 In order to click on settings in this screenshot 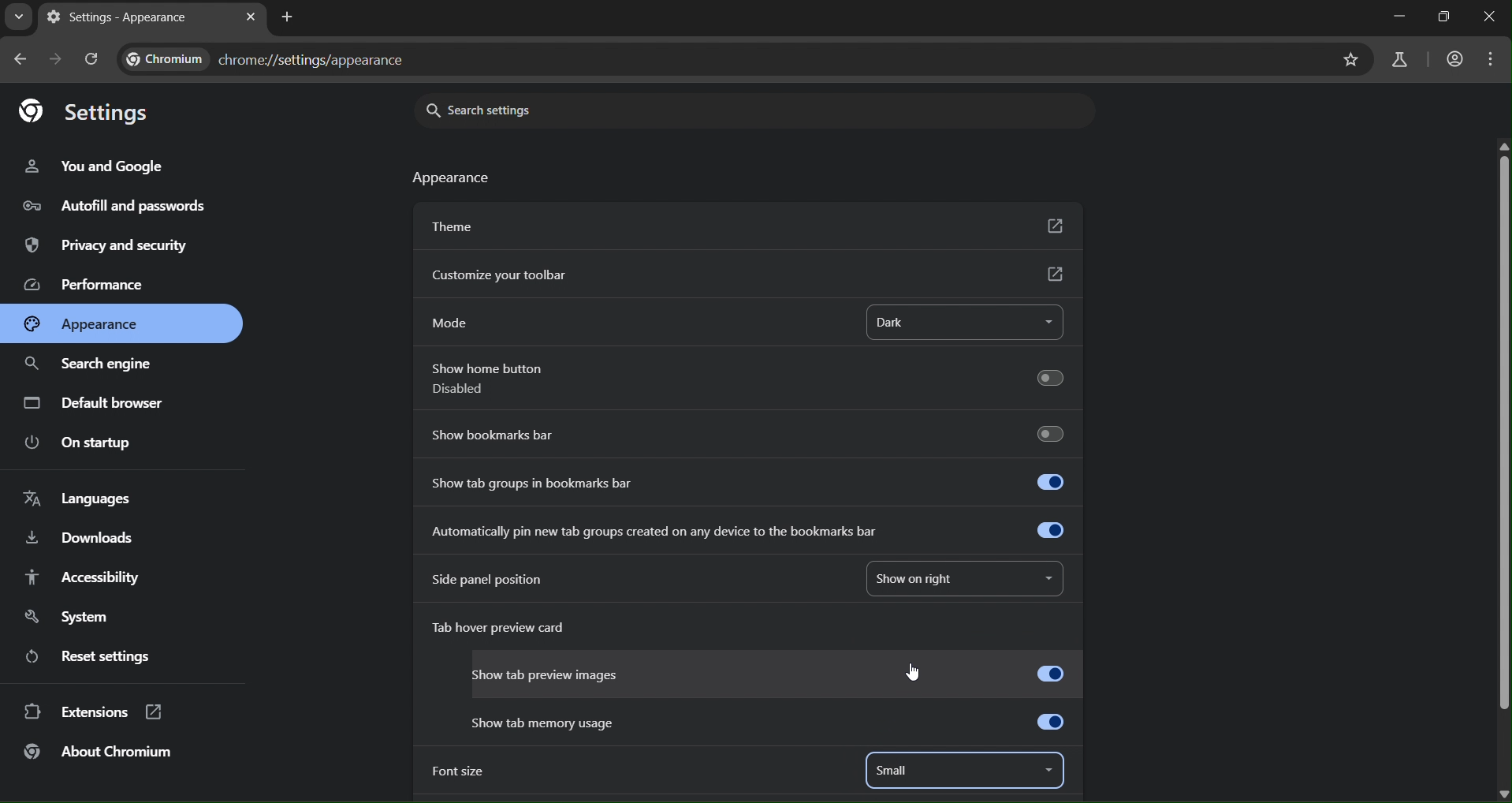, I will do `click(94, 110)`.